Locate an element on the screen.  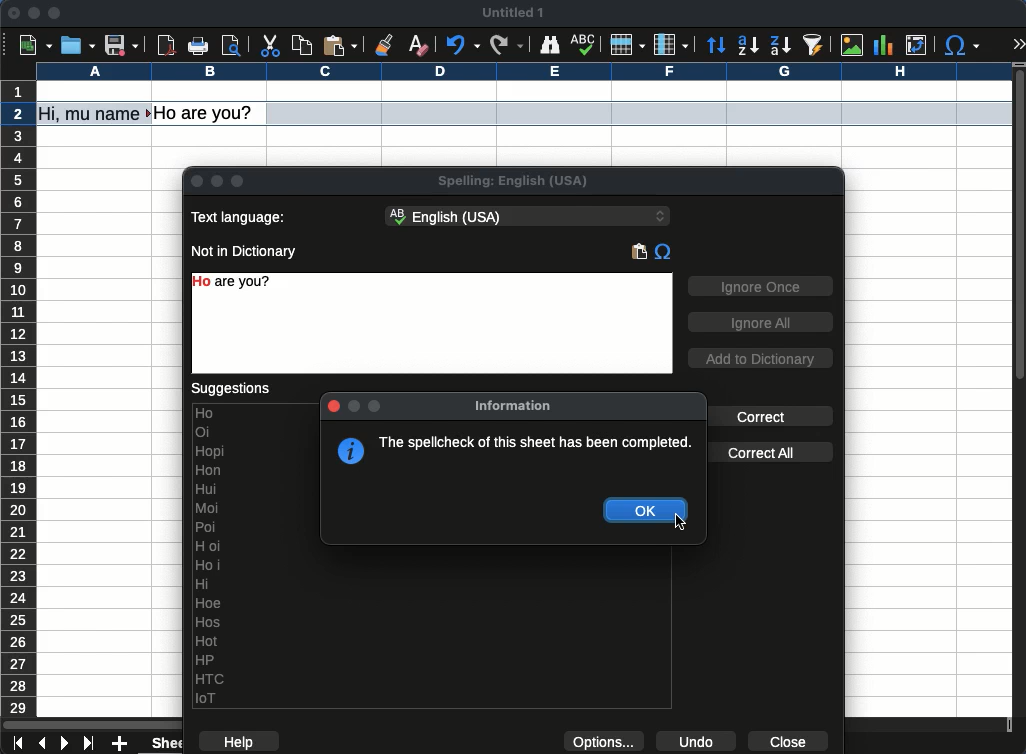
spell check is located at coordinates (585, 45).